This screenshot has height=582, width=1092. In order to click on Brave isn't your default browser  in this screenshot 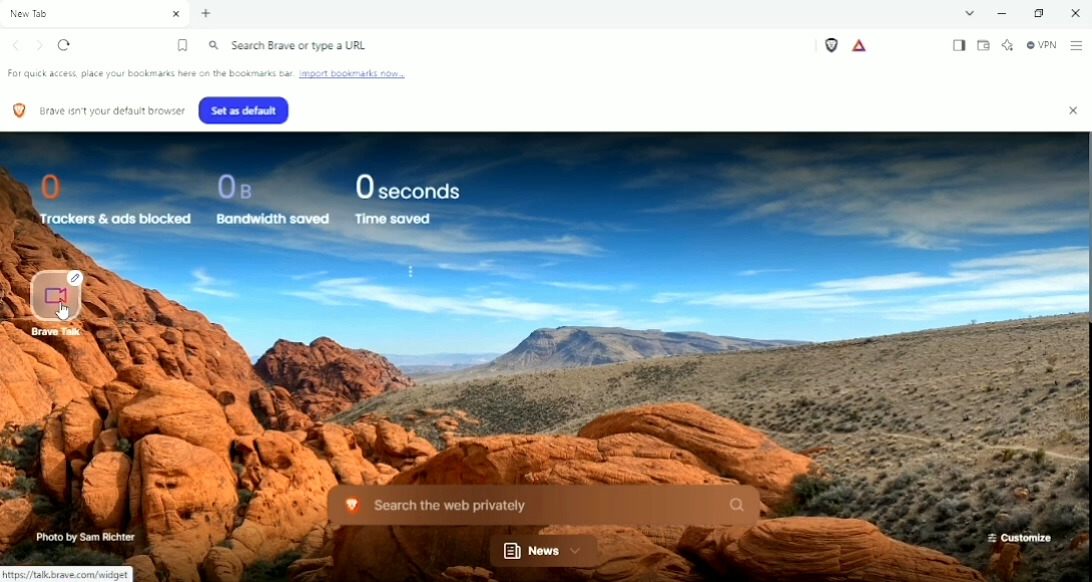, I will do `click(98, 110)`.